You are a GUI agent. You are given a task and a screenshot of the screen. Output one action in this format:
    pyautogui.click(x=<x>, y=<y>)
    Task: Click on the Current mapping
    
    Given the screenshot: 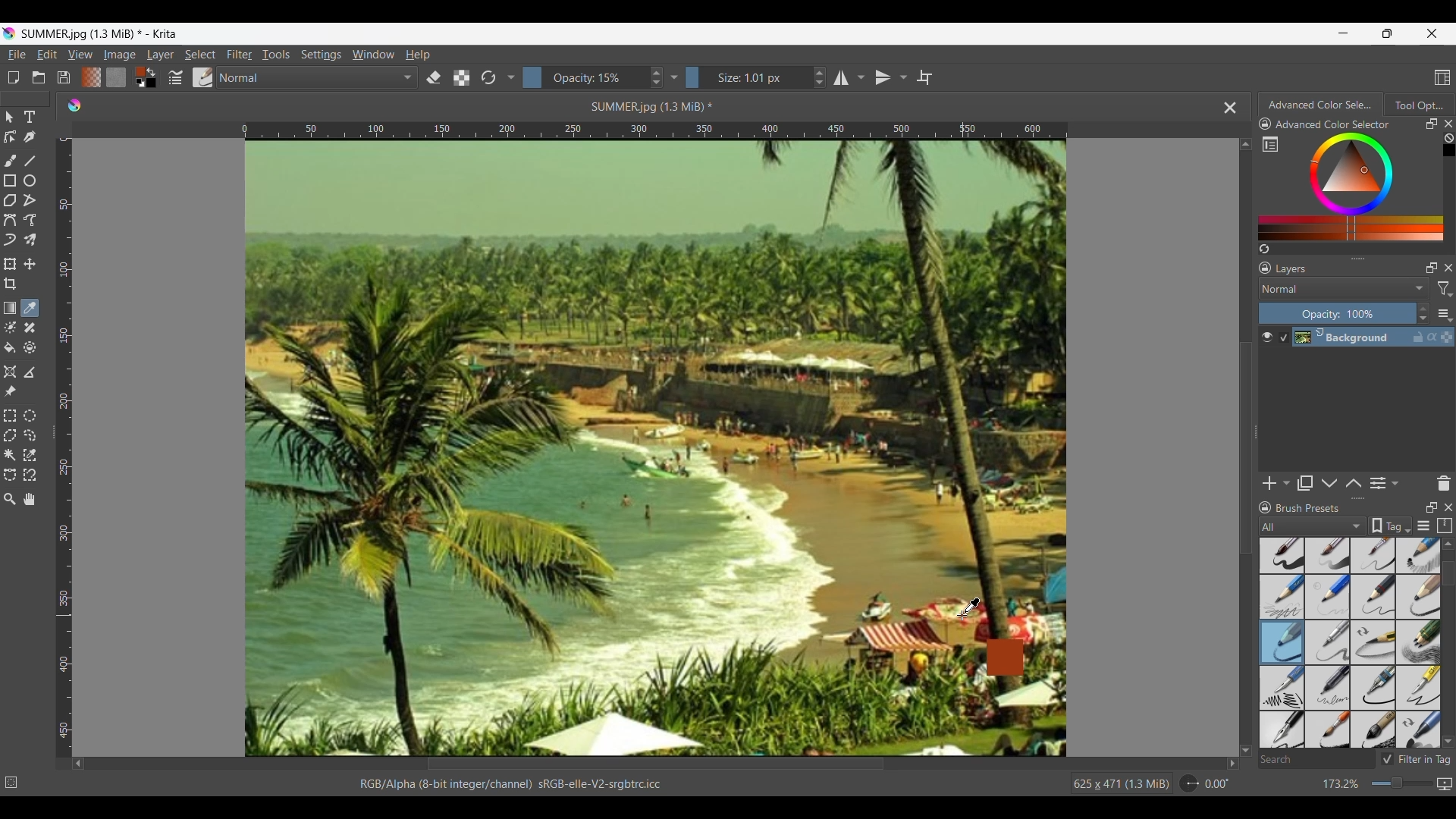 What is the action you would take?
    pyautogui.click(x=1445, y=784)
    